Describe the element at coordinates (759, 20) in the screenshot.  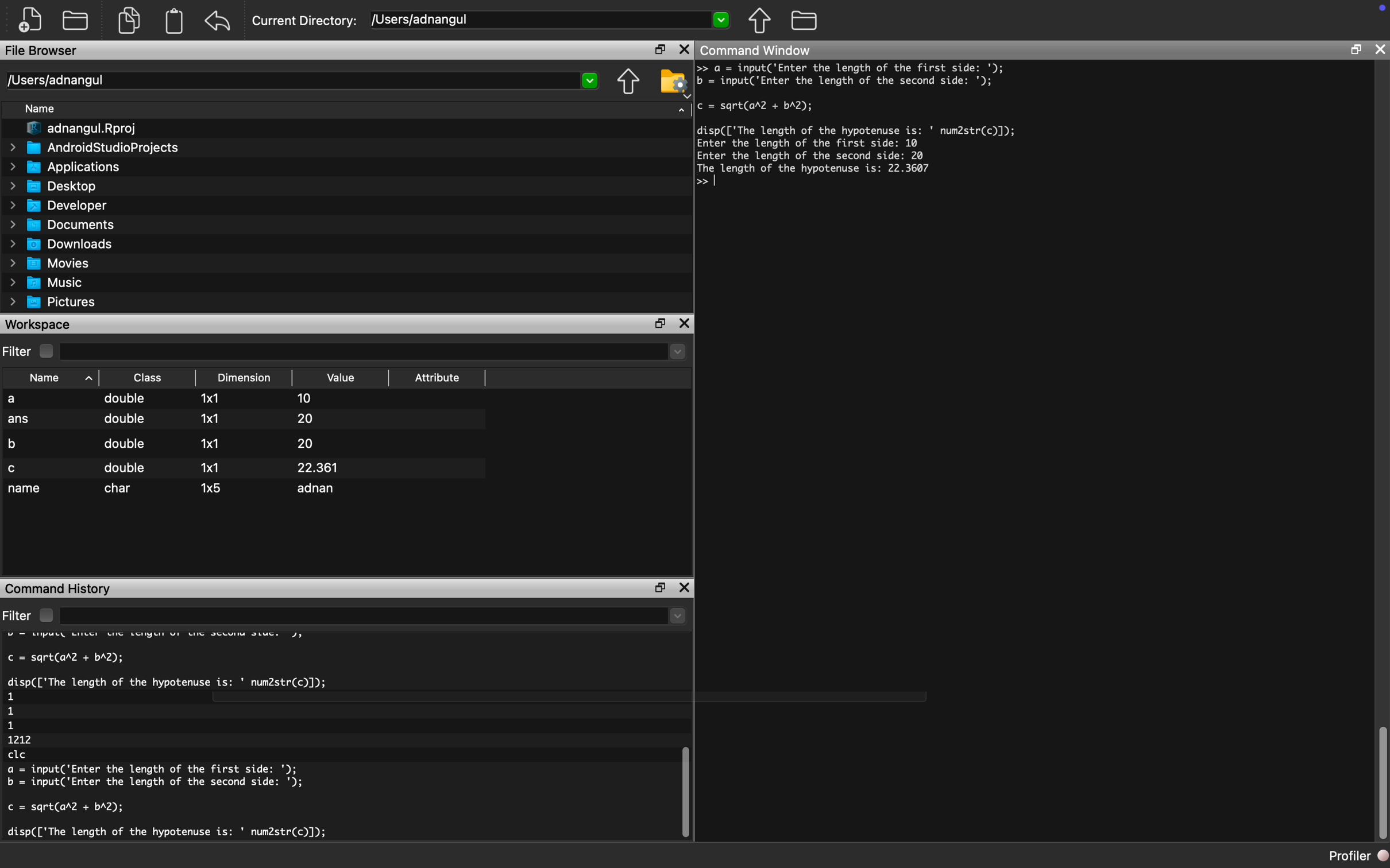
I see `move up` at that location.